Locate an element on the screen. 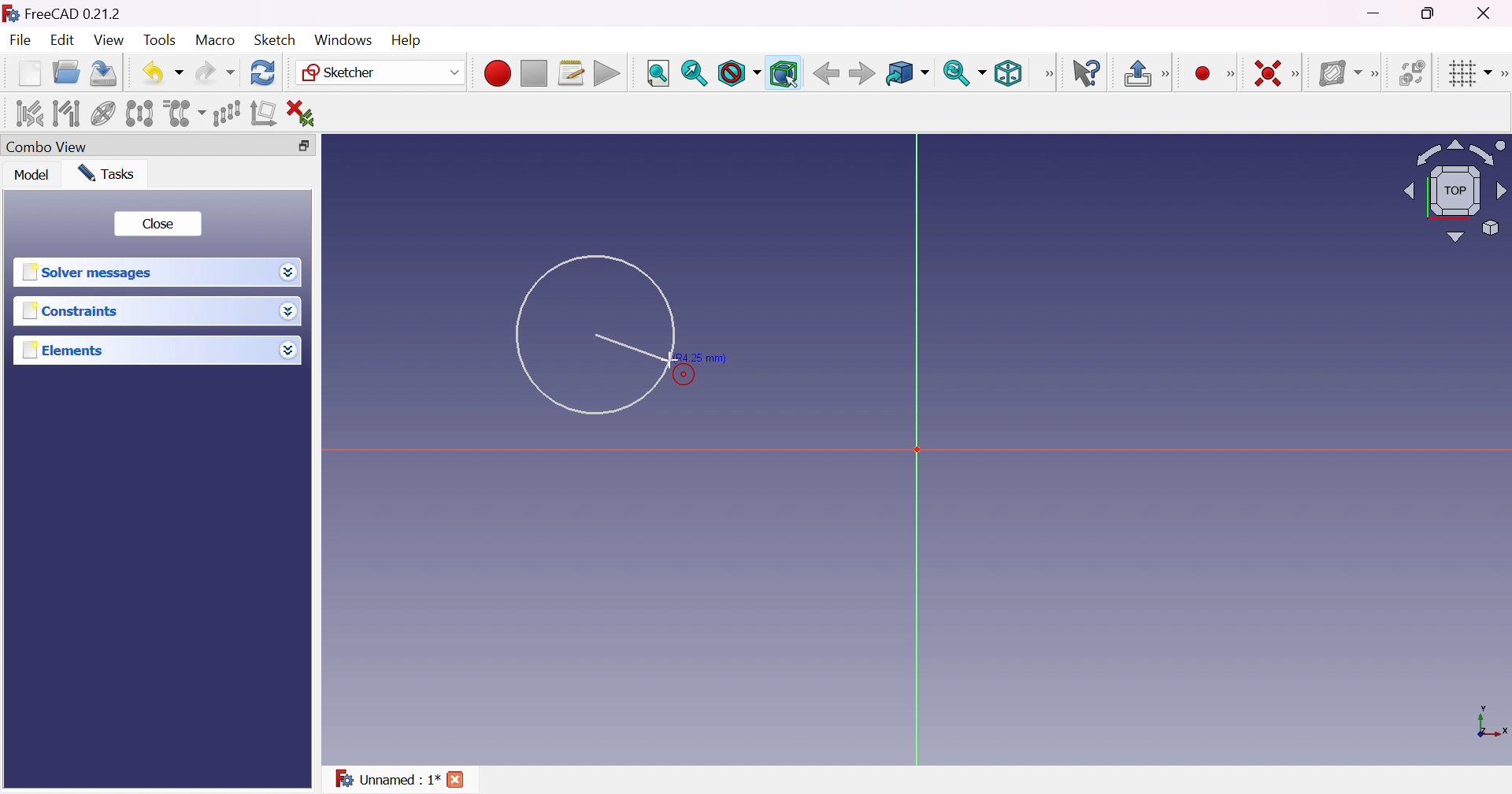 This screenshot has width=1512, height=794. File is located at coordinates (20, 40).